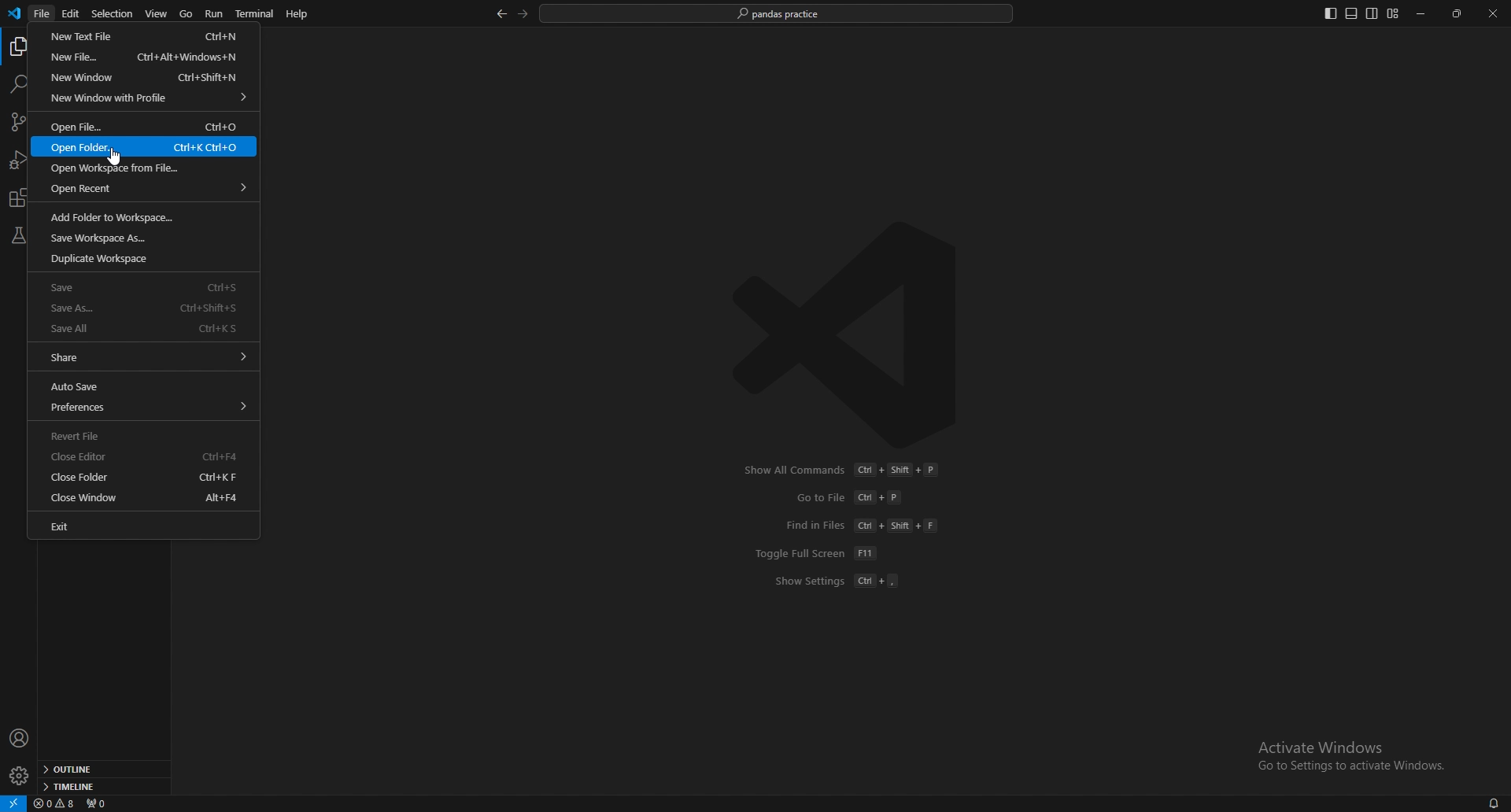 The width and height of the screenshot is (1511, 812). Describe the element at coordinates (1425, 14) in the screenshot. I see `minimize` at that location.